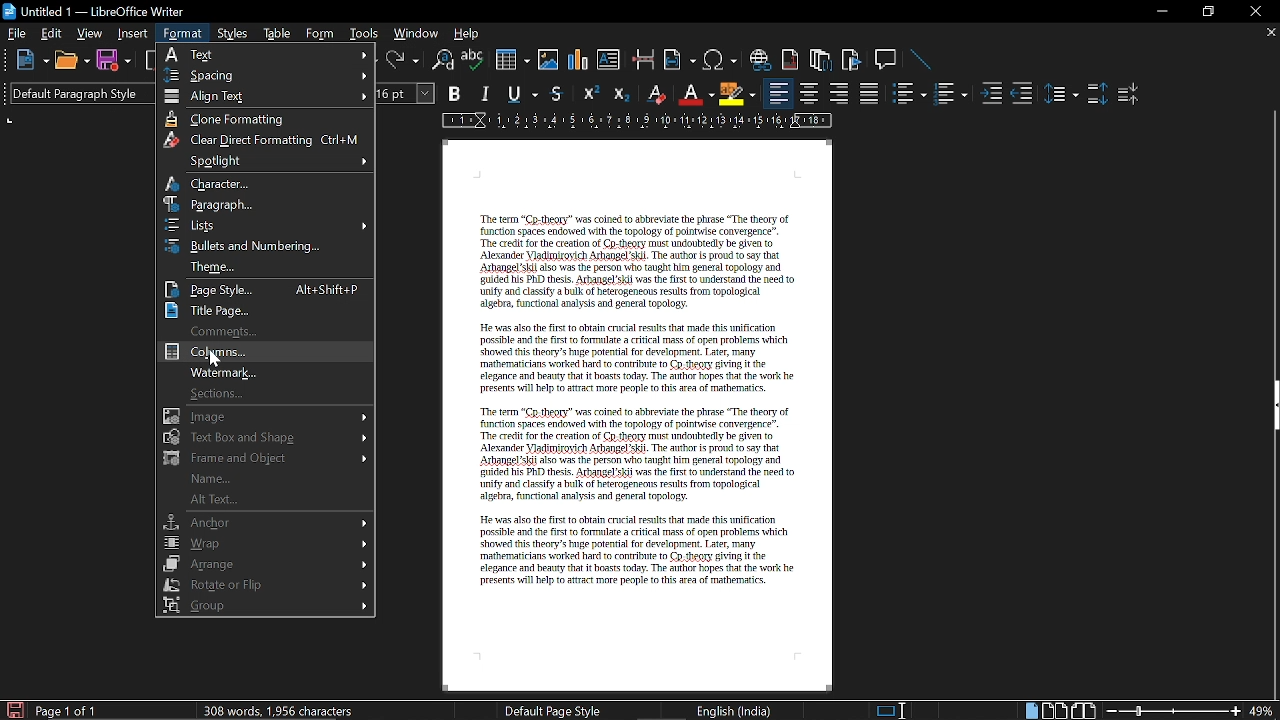 The image size is (1280, 720). Describe the element at coordinates (1029, 709) in the screenshot. I see `single page` at that location.